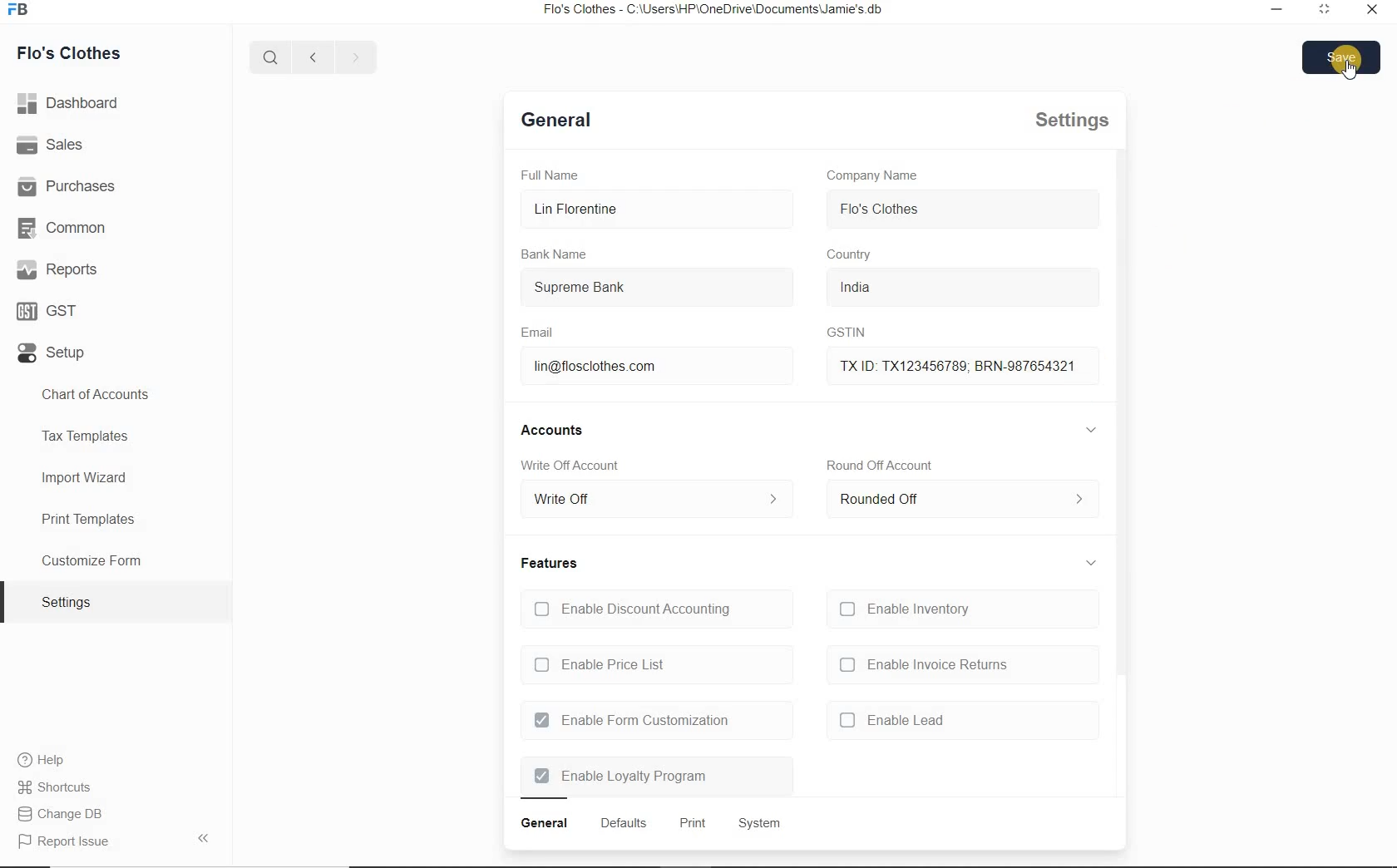 The height and width of the screenshot is (868, 1397). What do you see at coordinates (623, 823) in the screenshot?
I see `defaults` at bounding box center [623, 823].